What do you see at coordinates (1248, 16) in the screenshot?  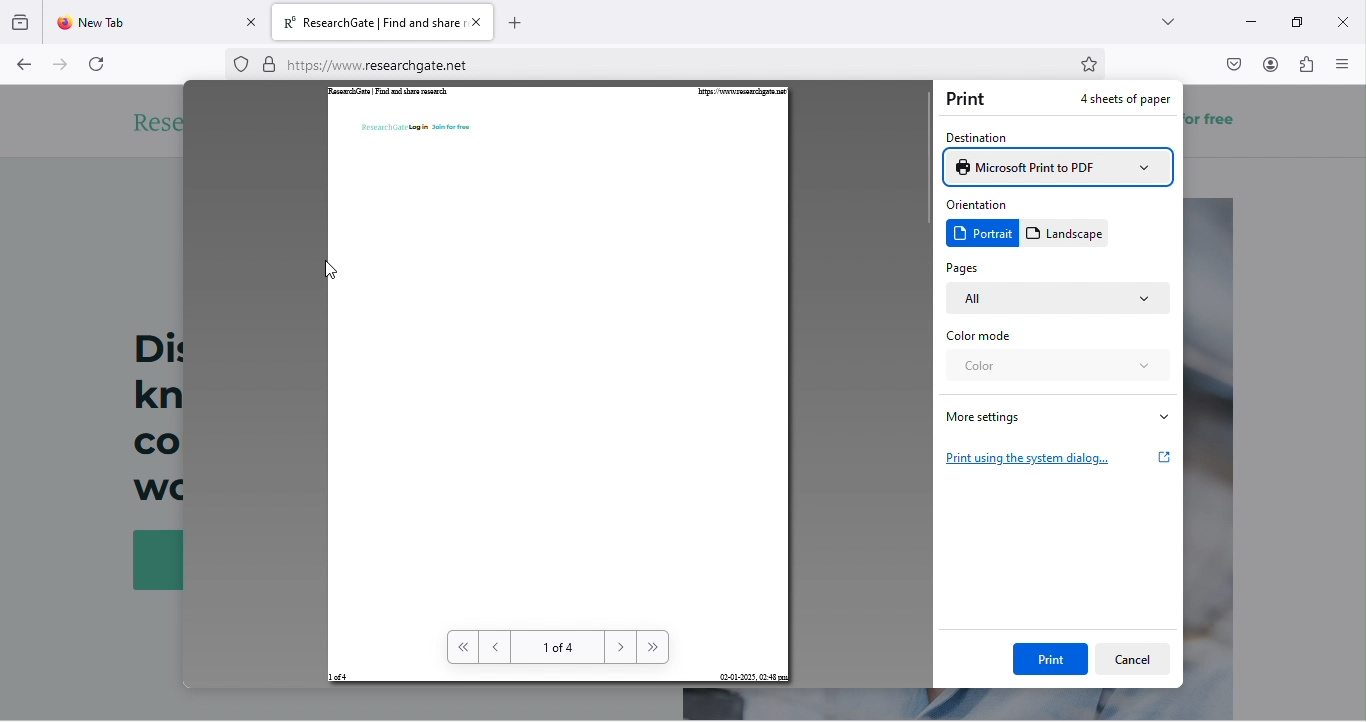 I see `minimize` at bounding box center [1248, 16].